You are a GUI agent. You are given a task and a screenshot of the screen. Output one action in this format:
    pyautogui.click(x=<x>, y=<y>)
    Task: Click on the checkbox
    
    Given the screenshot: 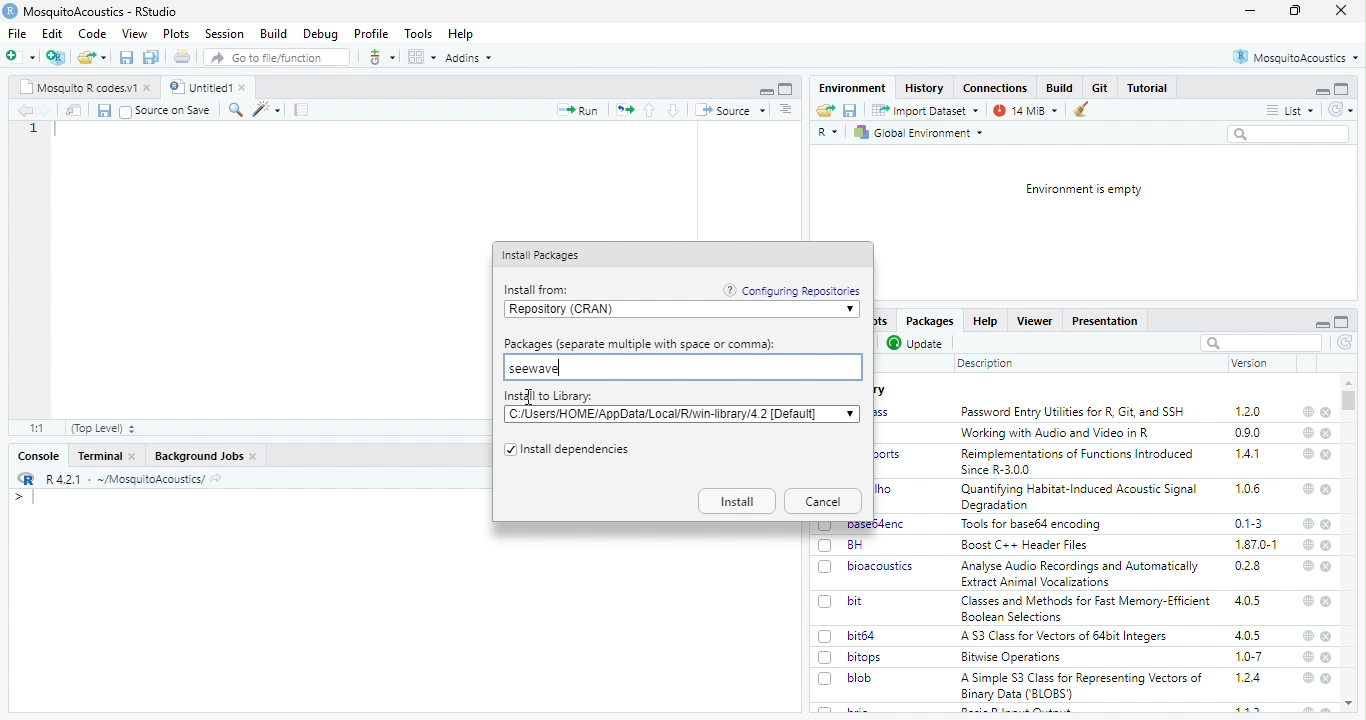 What is the action you would take?
    pyautogui.click(x=828, y=637)
    